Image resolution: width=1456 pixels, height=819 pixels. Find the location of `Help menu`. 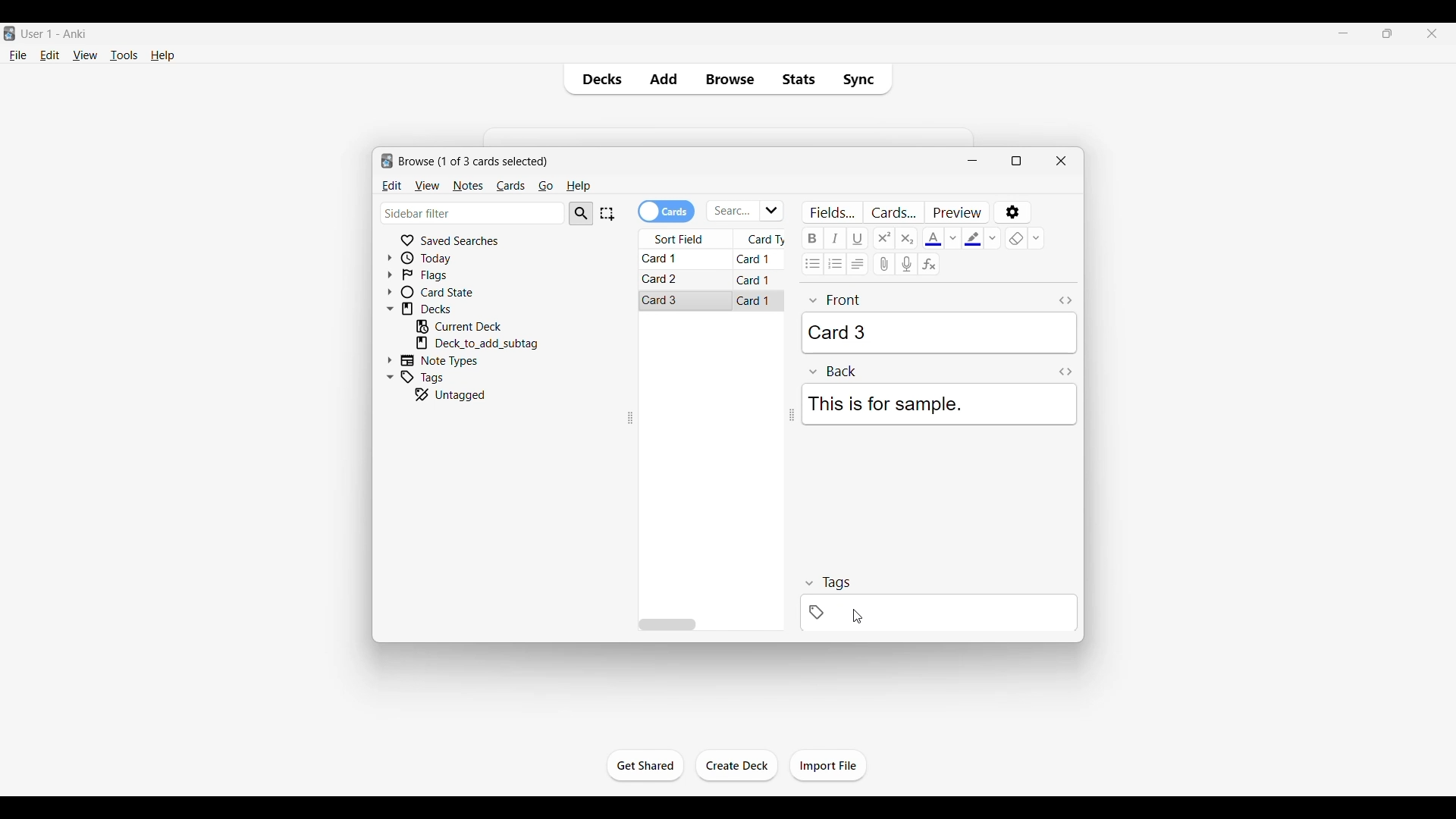

Help menu is located at coordinates (162, 55).